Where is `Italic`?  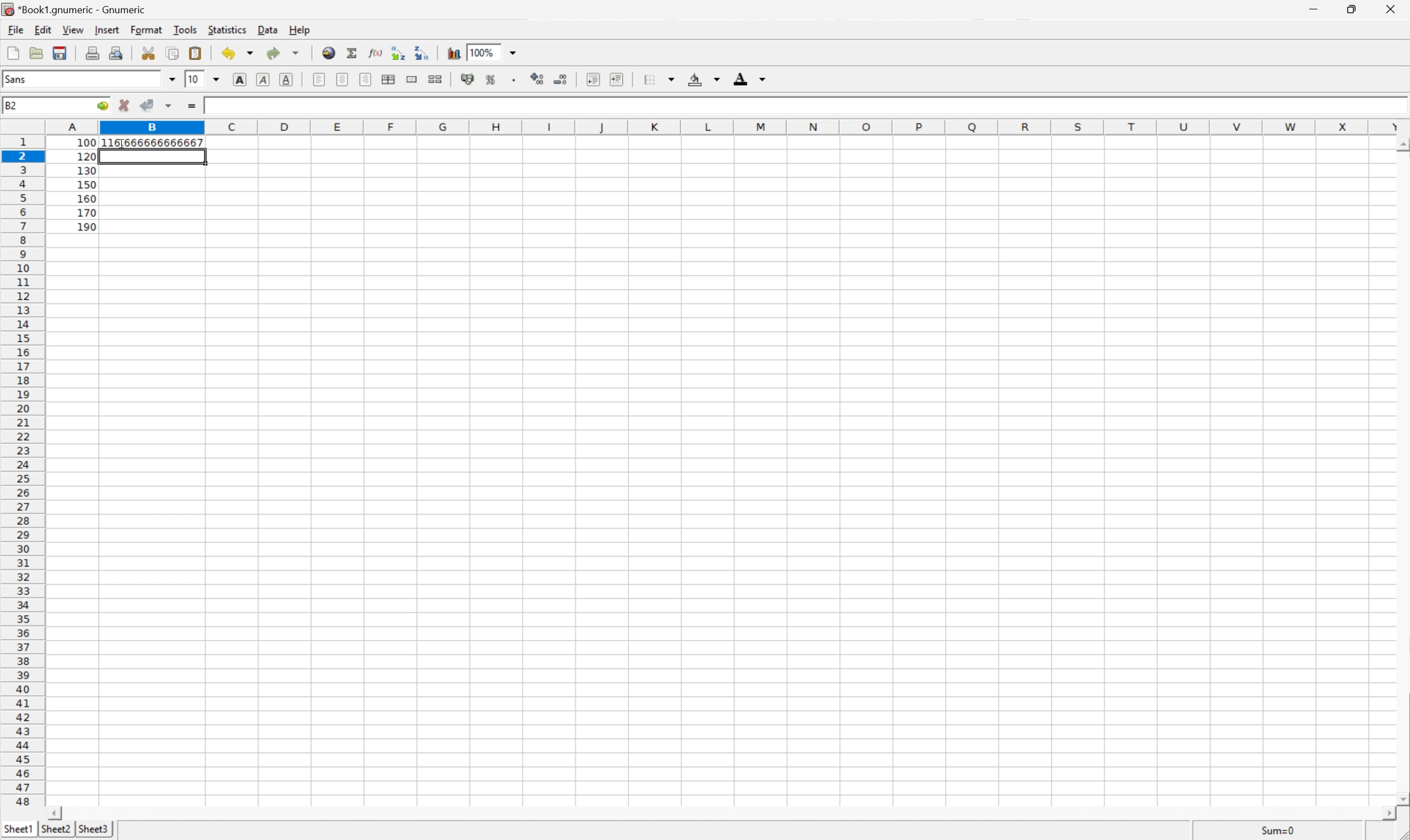 Italic is located at coordinates (262, 80).